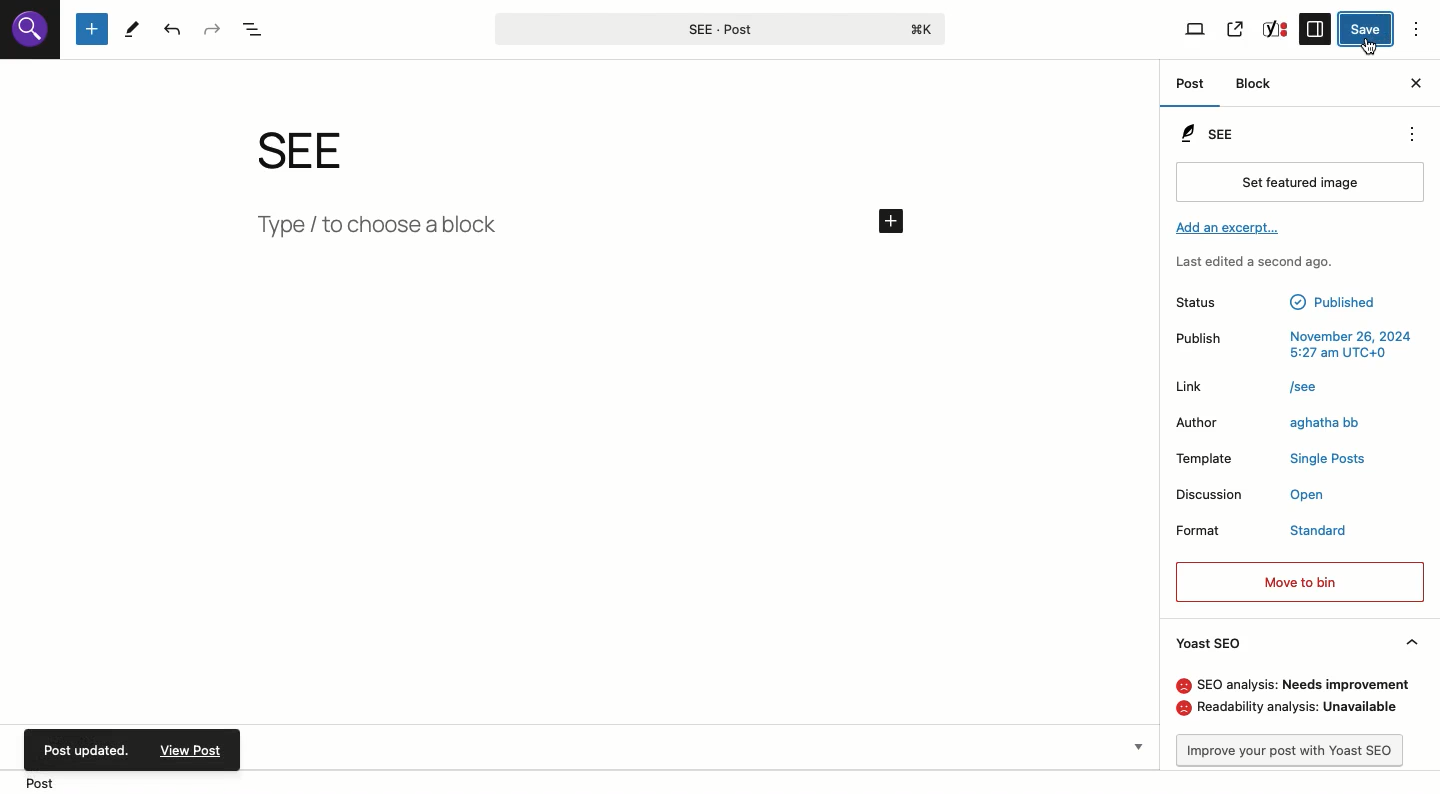  What do you see at coordinates (1407, 131) in the screenshot?
I see `see options` at bounding box center [1407, 131].